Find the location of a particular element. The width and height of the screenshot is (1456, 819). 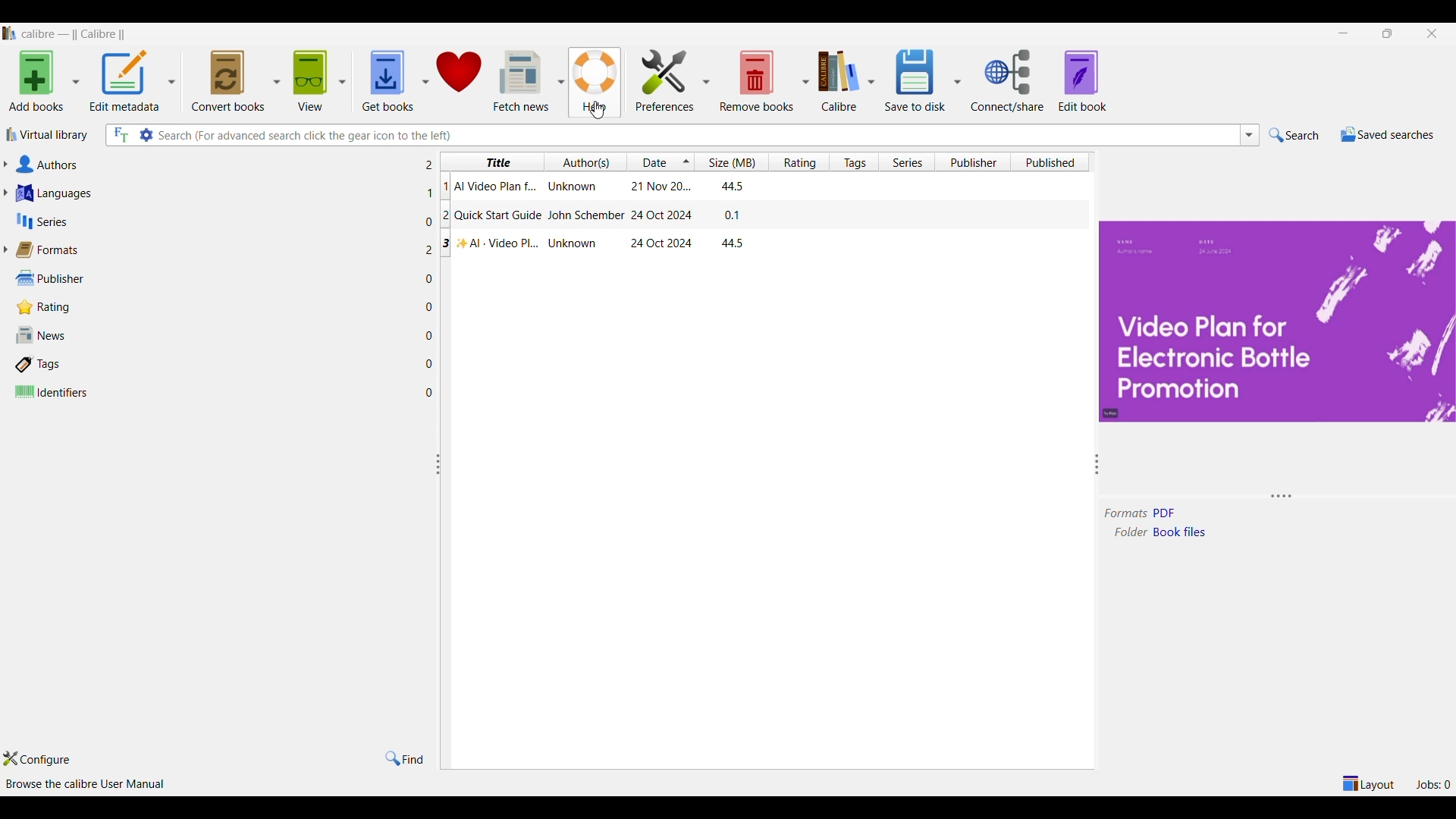

folder is located at coordinates (1130, 532).